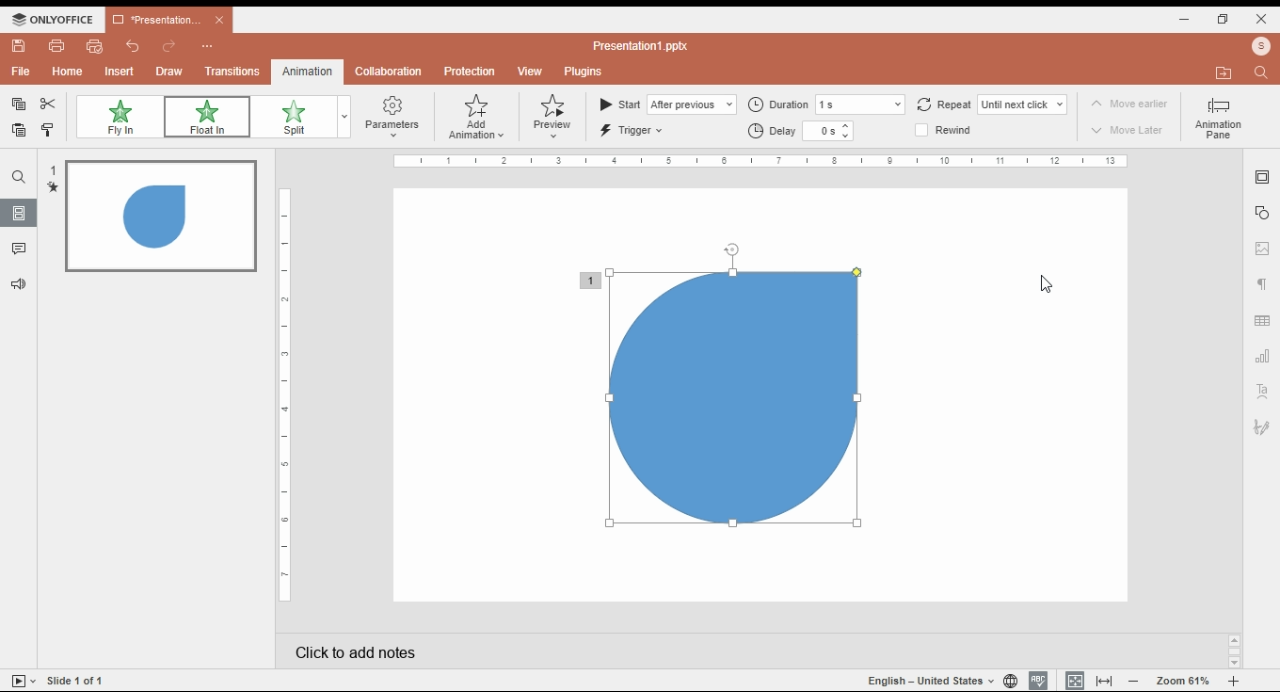 The height and width of the screenshot is (692, 1280). Describe the element at coordinates (169, 71) in the screenshot. I see `draw` at that location.